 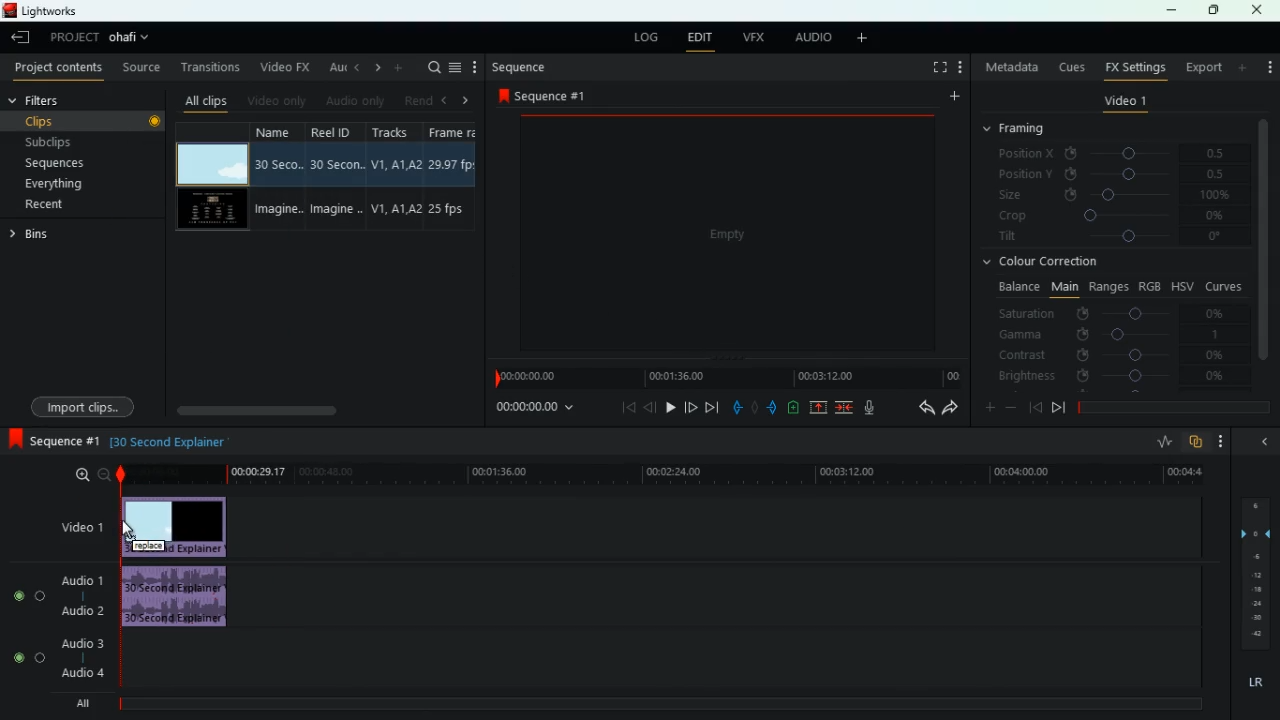 I want to click on colour correction, so click(x=1048, y=261).